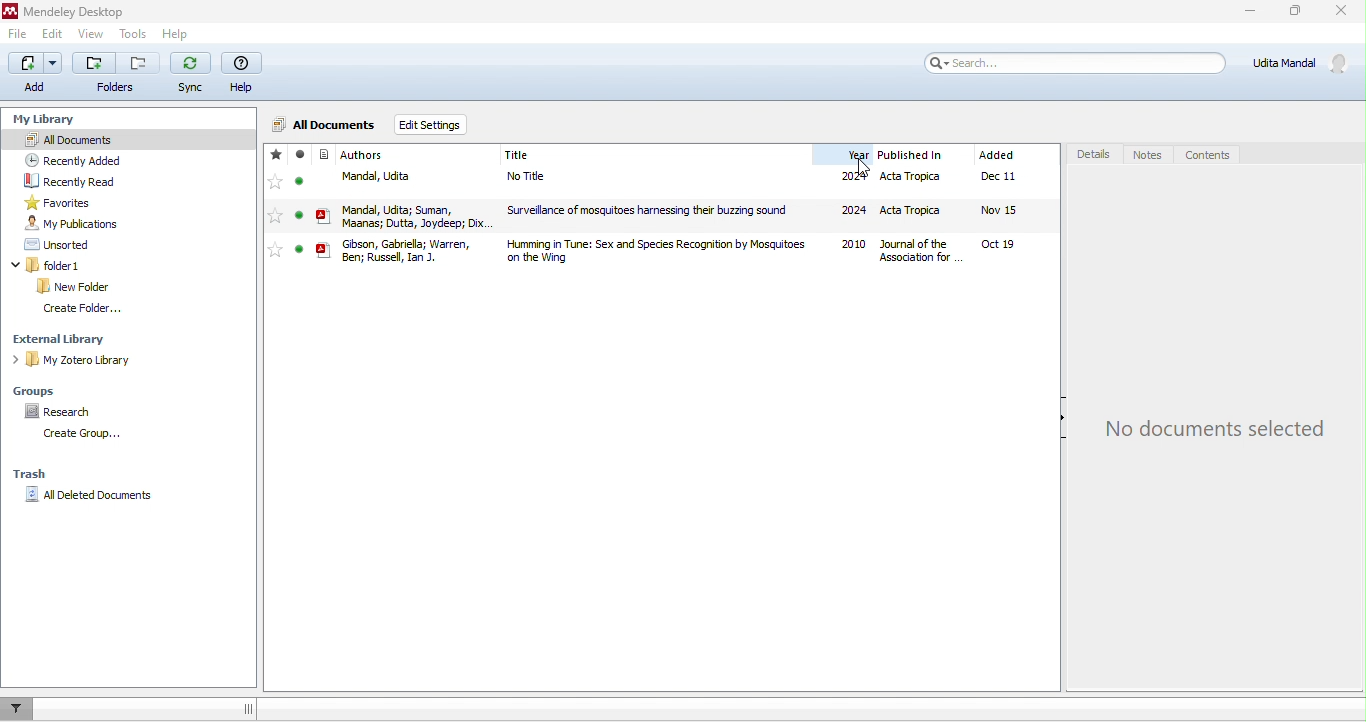 This screenshot has width=1366, height=722. What do you see at coordinates (279, 206) in the screenshot?
I see `favorite` at bounding box center [279, 206].